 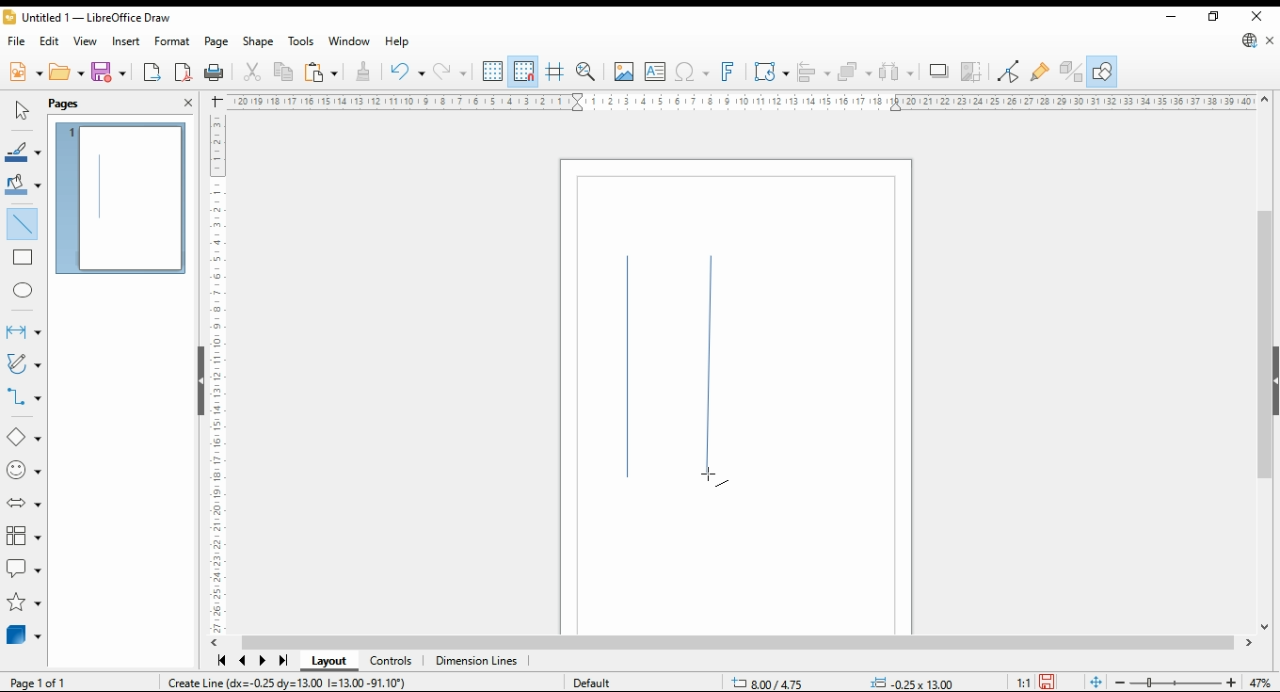 I want to click on horizontal scale, so click(x=741, y=101).